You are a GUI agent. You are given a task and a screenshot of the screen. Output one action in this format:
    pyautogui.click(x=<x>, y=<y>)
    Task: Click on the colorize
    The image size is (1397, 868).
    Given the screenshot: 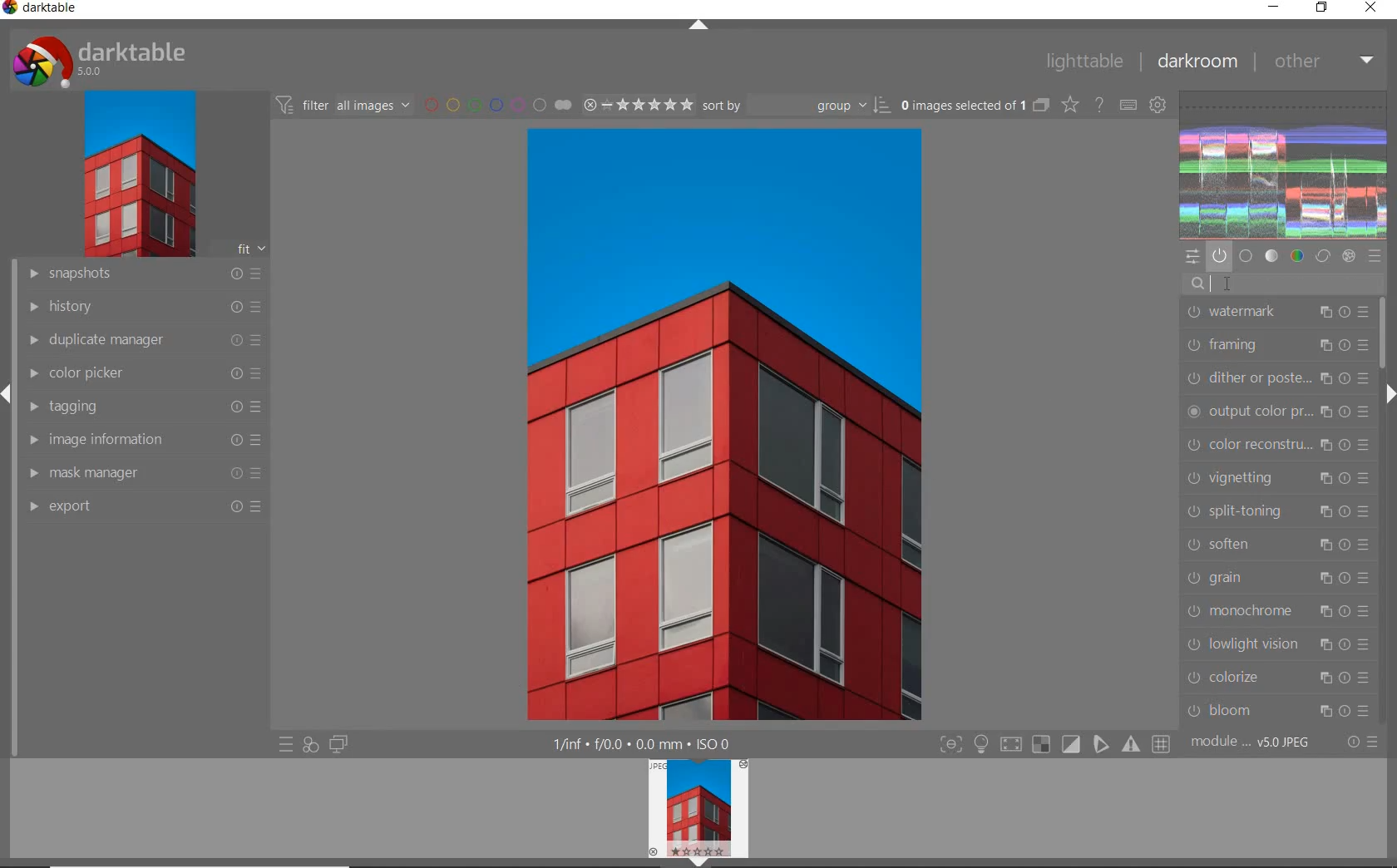 What is the action you would take?
    pyautogui.click(x=1276, y=678)
    